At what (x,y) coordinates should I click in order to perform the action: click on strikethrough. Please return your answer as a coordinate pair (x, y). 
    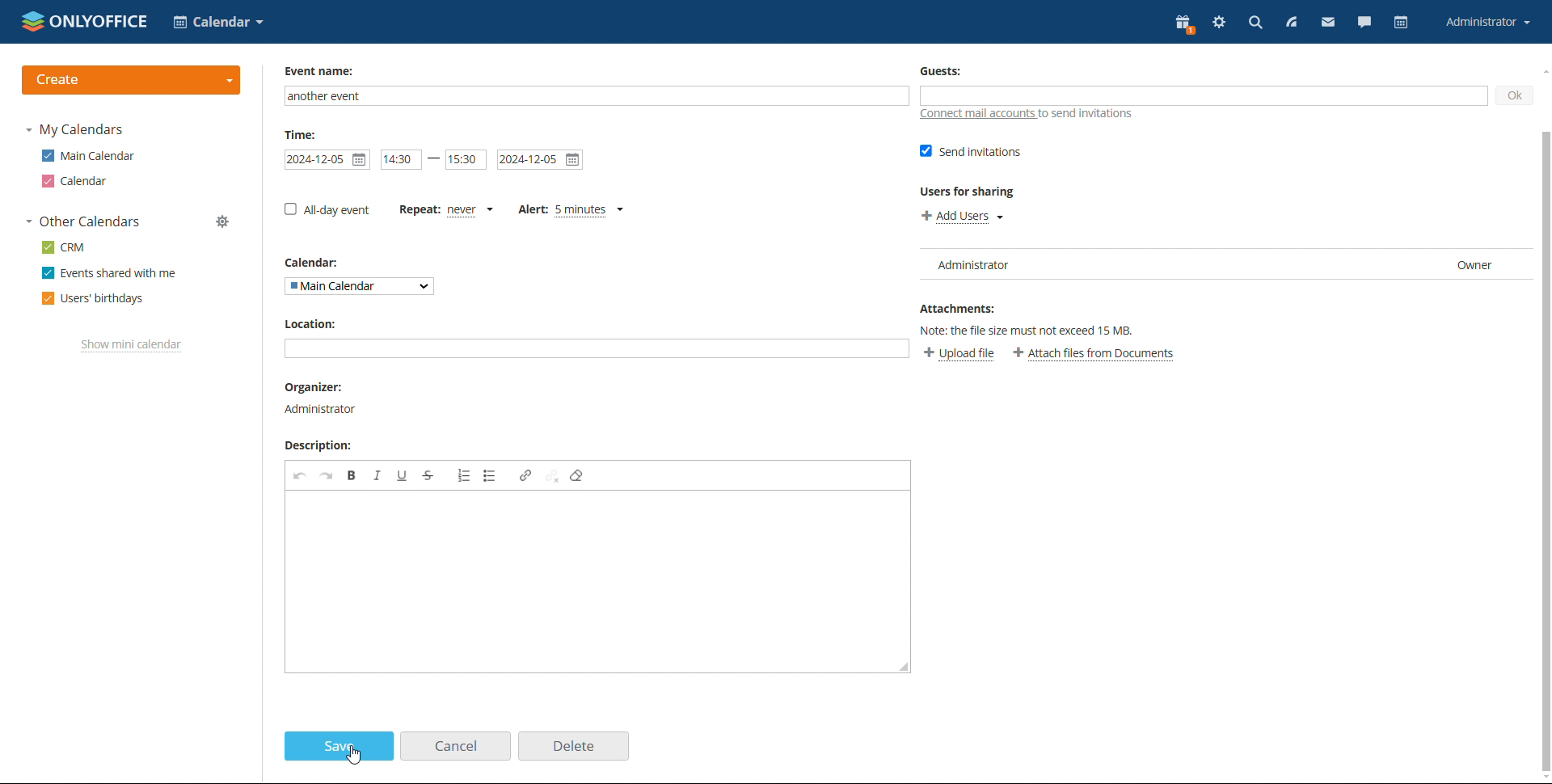
    Looking at the image, I should click on (427, 475).